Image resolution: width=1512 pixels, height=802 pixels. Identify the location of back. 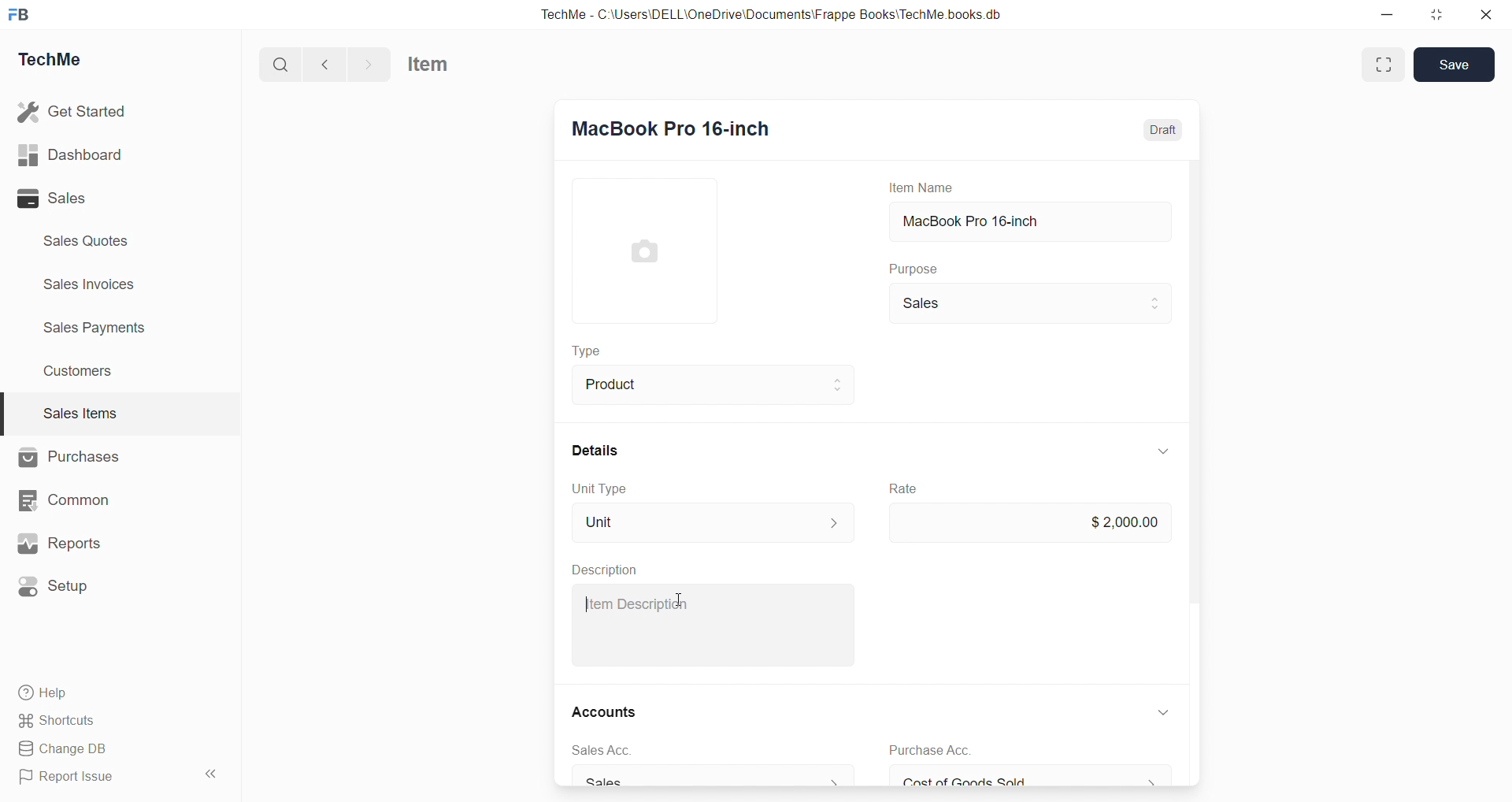
(326, 64).